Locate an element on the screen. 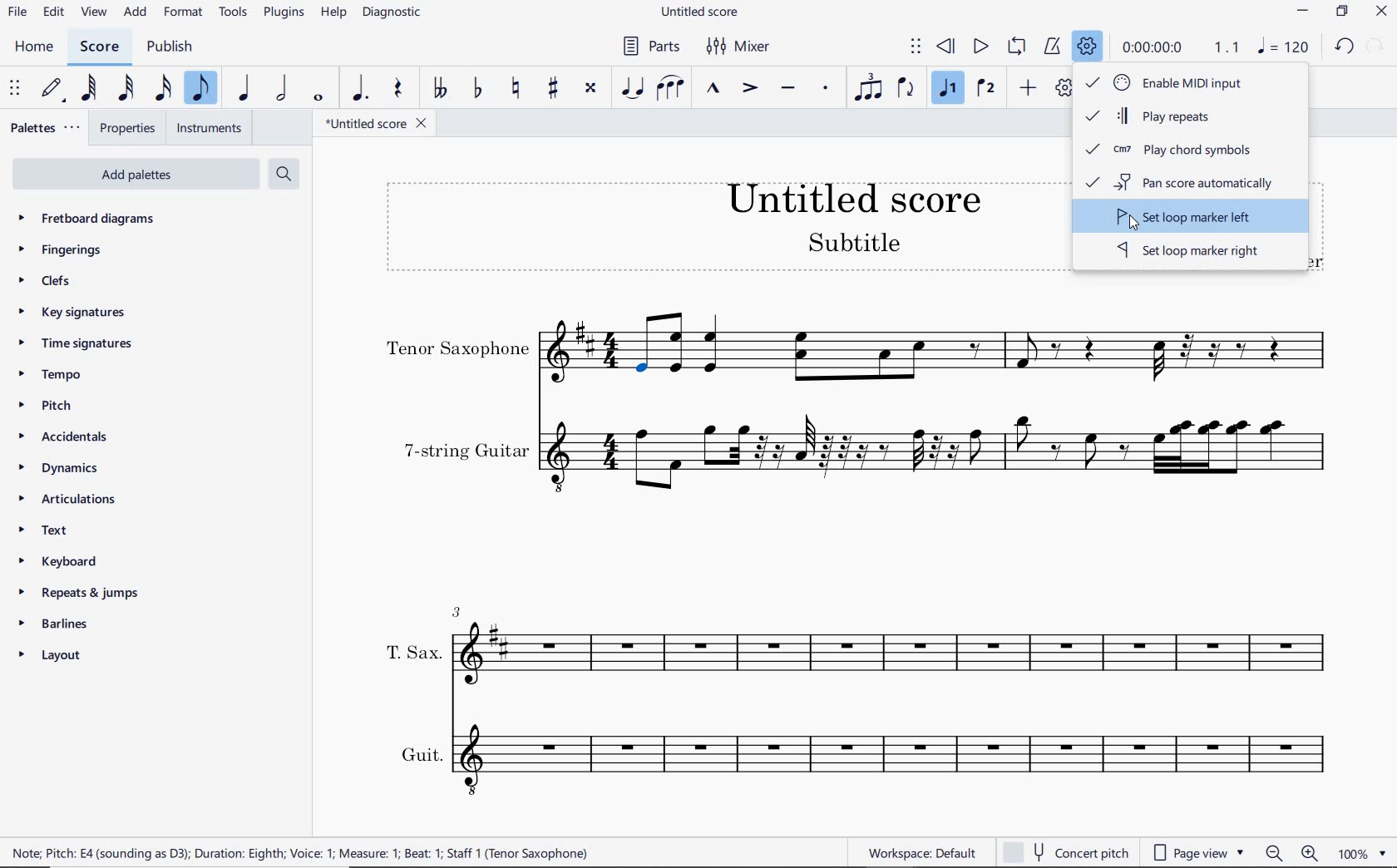 The image size is (1397, 868). REDO is located at coordinates (1377, 44).